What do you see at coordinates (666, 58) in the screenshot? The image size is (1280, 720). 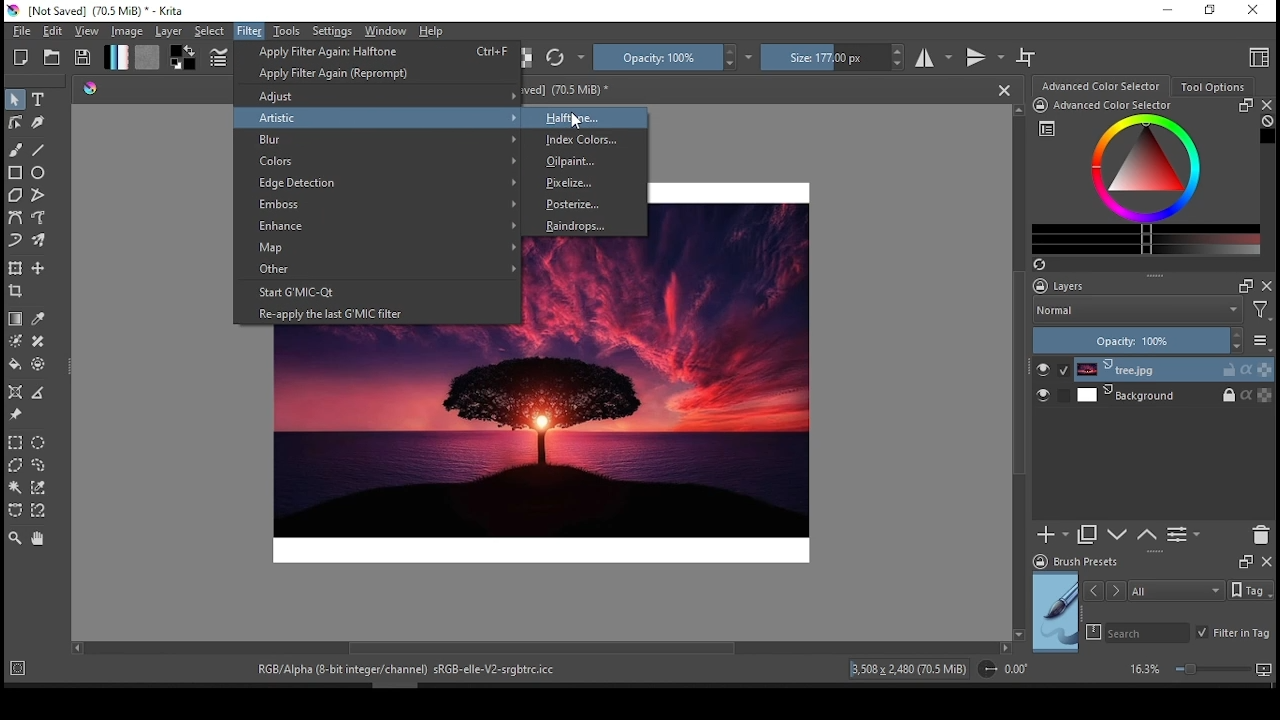 I see `opacity` at bounding box center [666, 58].